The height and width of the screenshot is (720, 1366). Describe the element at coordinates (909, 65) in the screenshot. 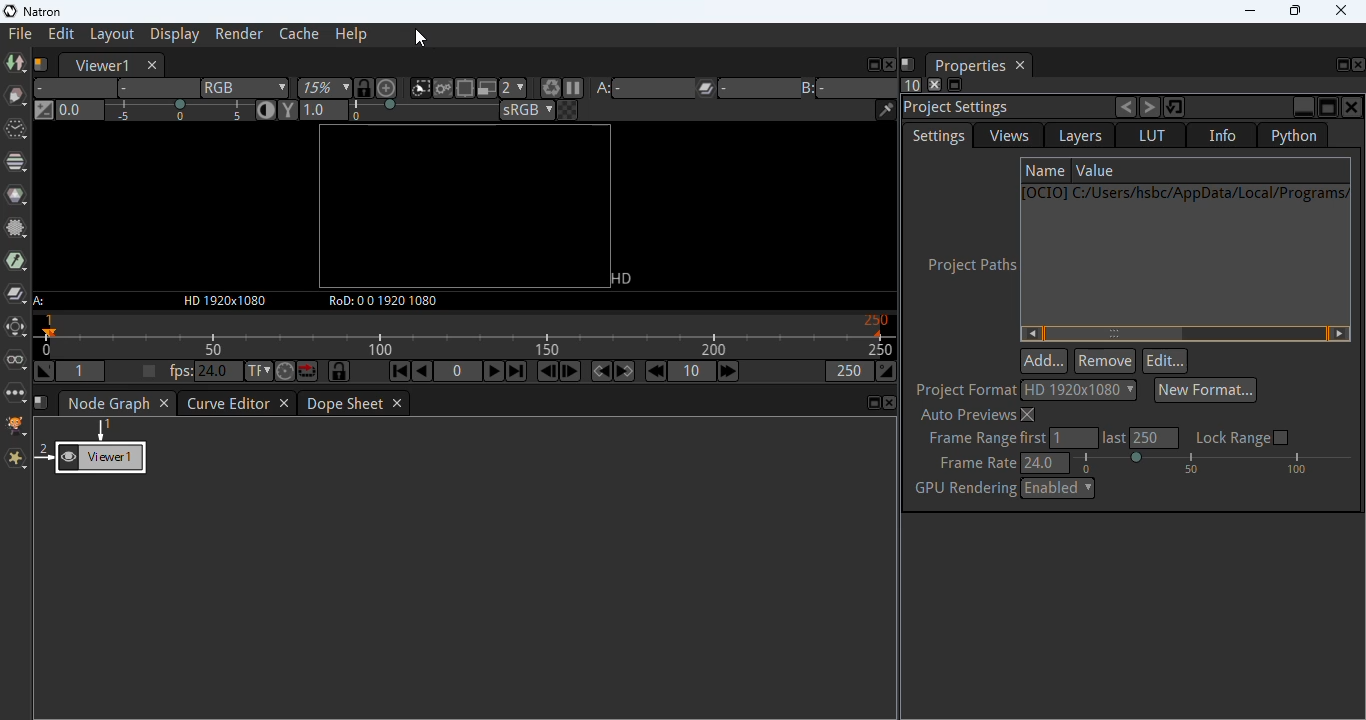

I see `script name: pane 2` at that location.